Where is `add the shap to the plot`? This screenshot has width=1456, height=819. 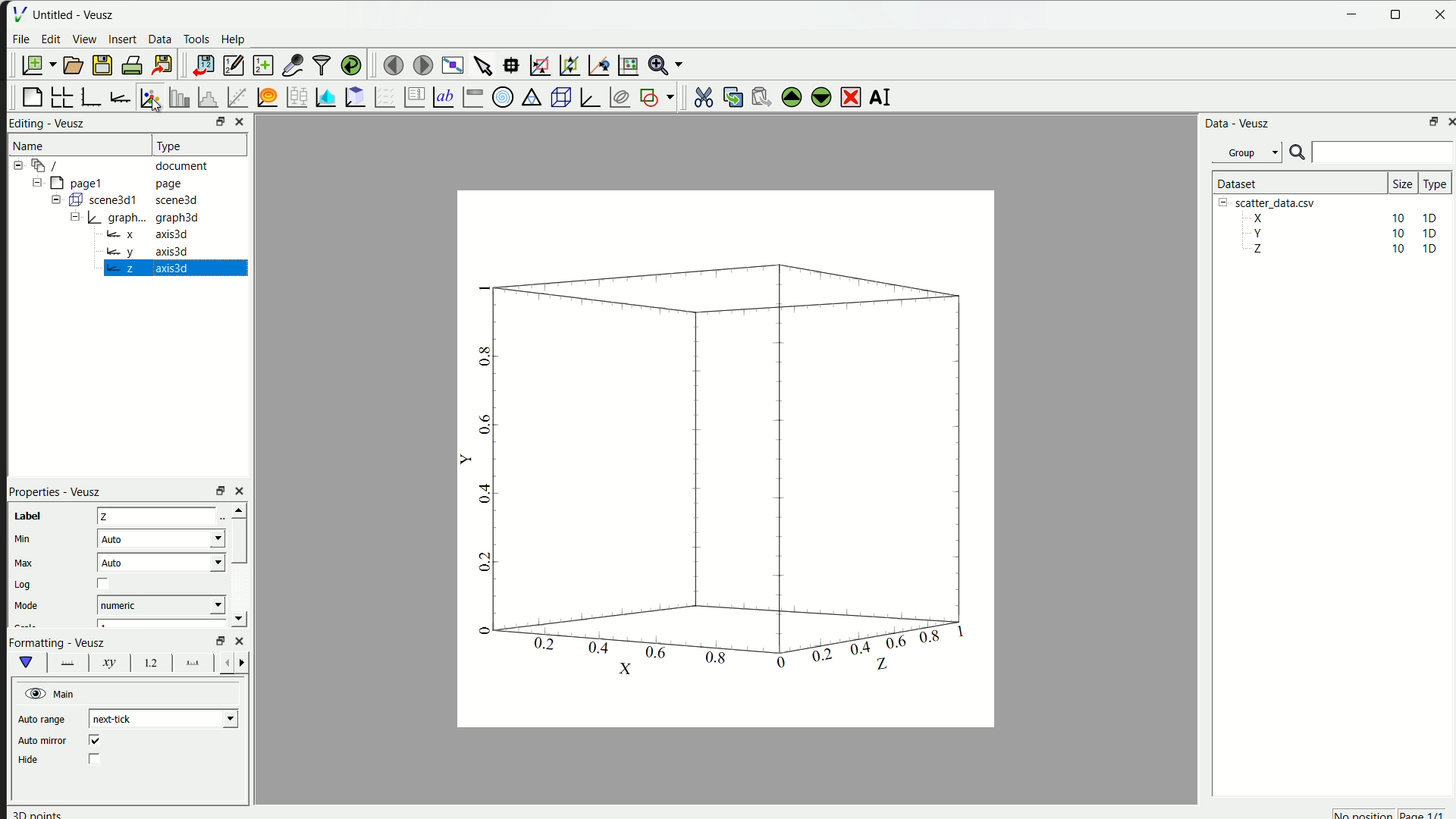
add the shap to the plot is located at coordinates (656, 96).